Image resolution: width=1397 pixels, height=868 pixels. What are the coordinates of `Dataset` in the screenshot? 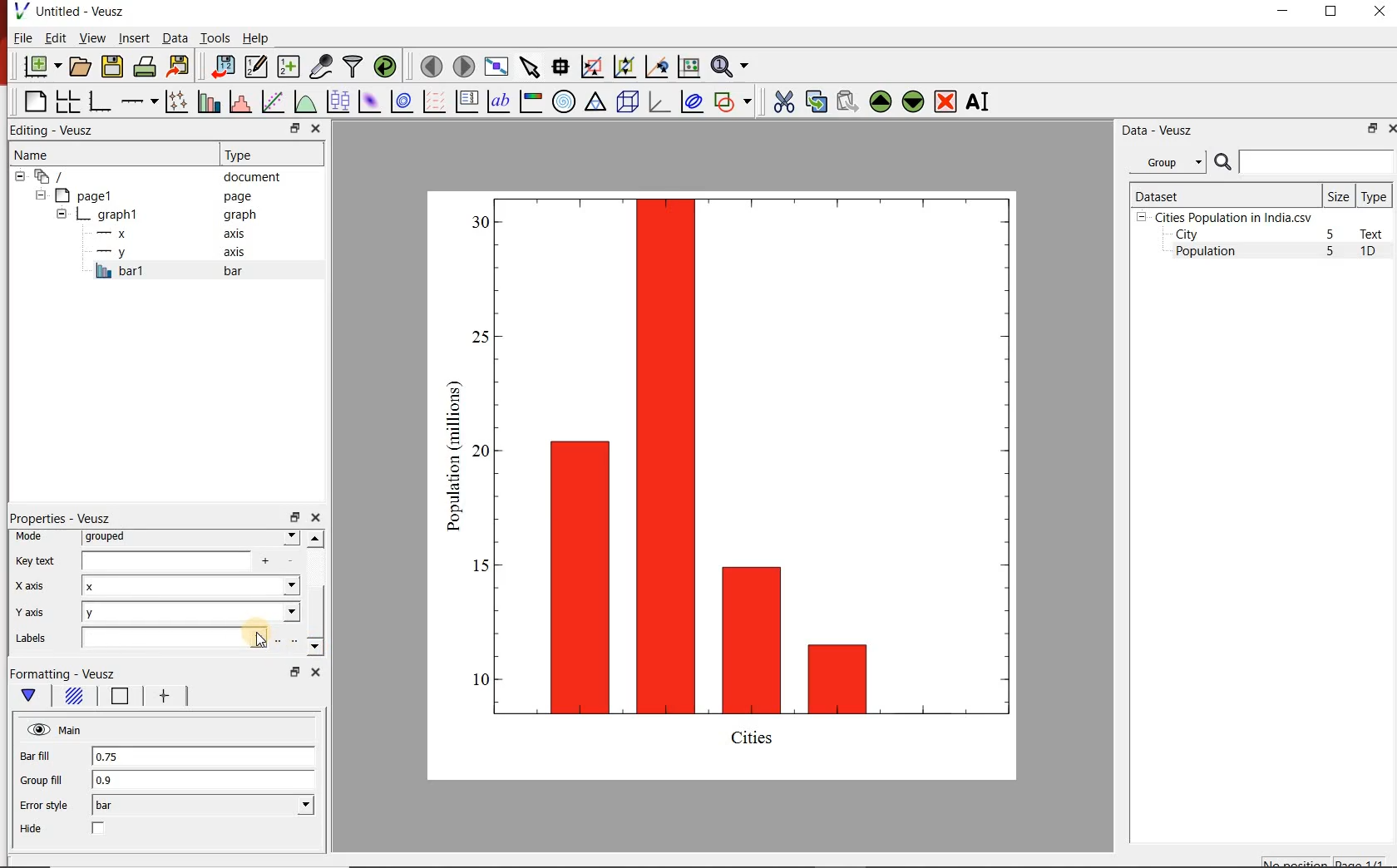 It's located at (1223, 195).